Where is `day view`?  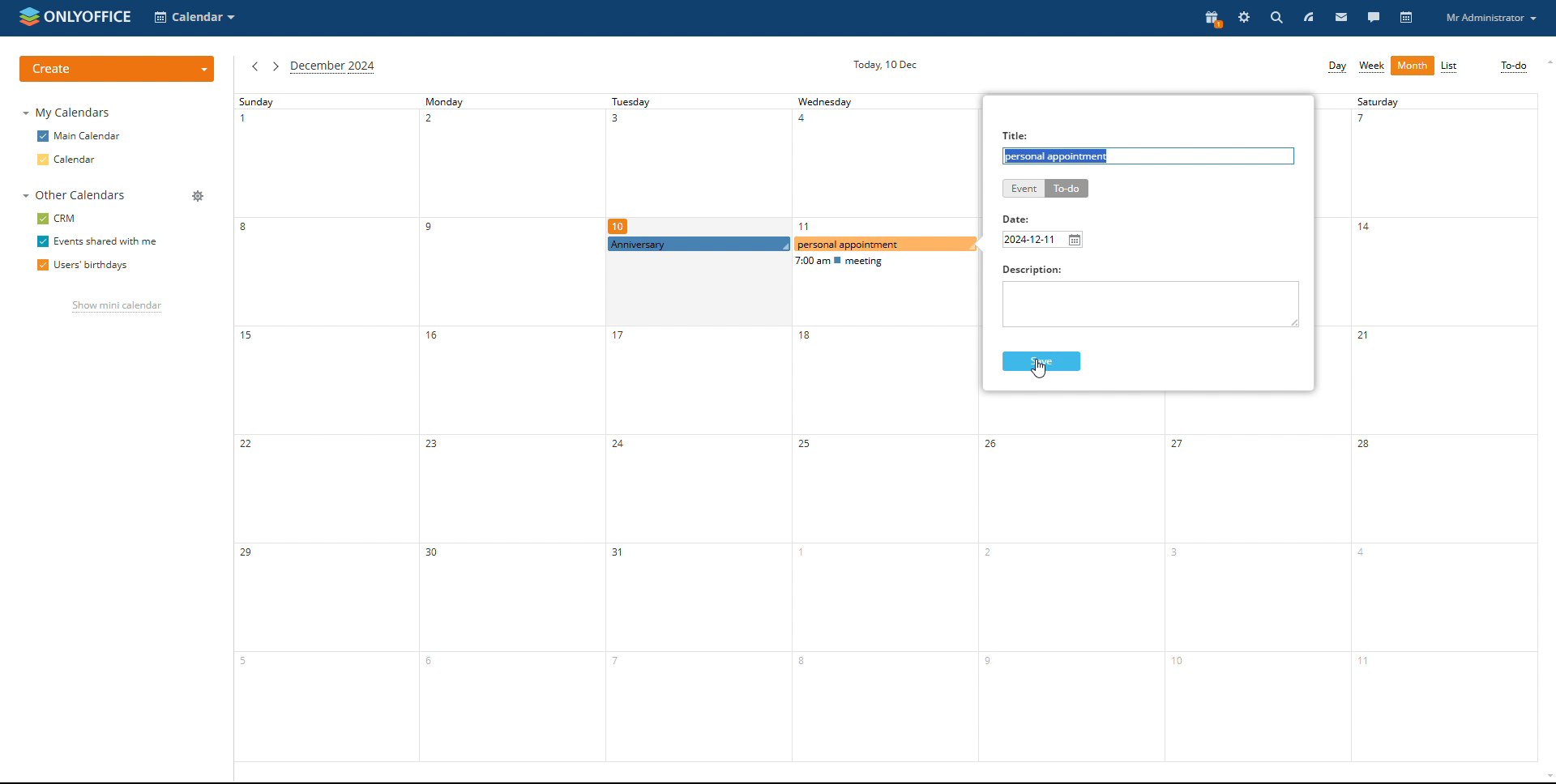
day view is located at coordinates (1336, 67).